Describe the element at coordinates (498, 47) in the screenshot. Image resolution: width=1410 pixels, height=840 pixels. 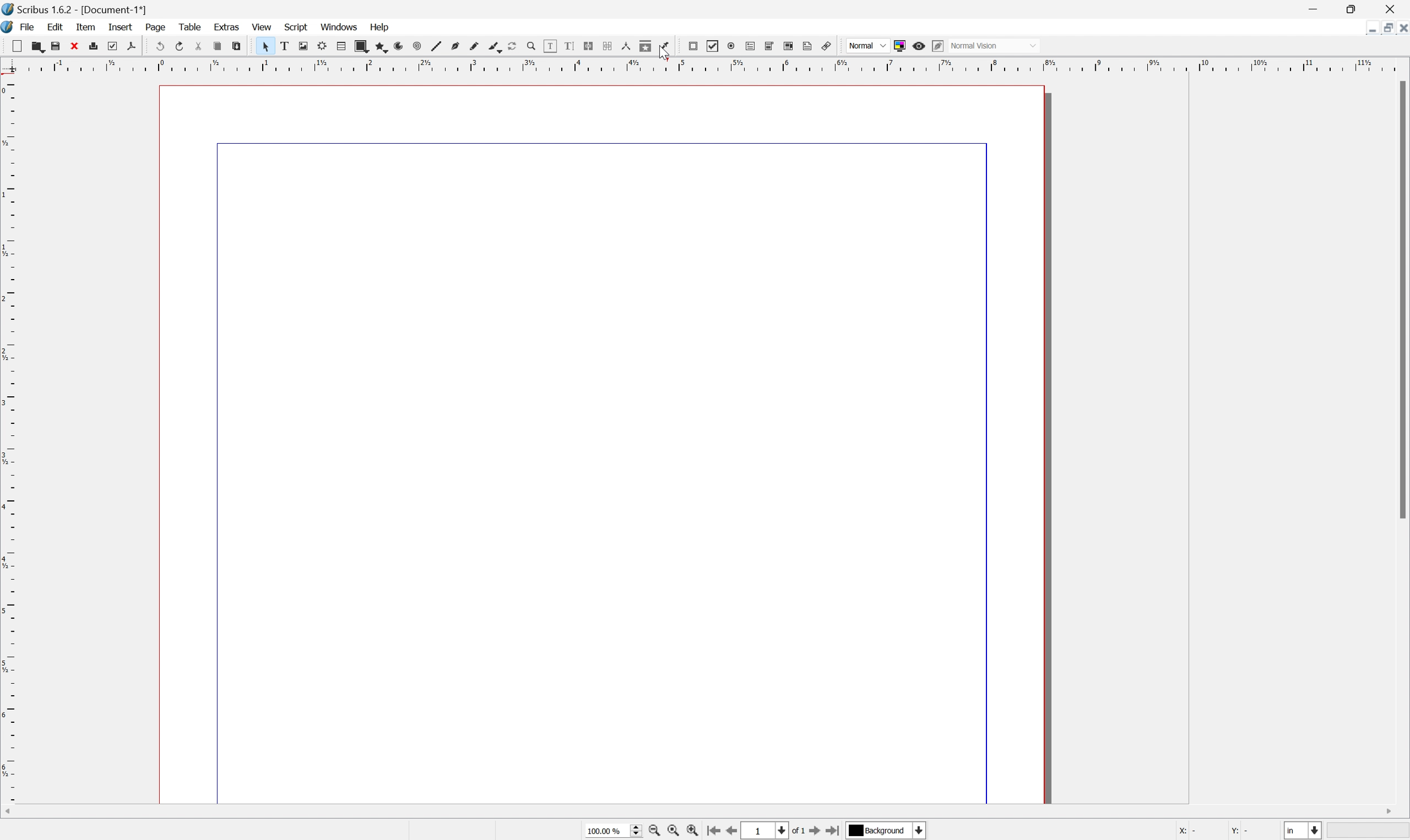
I see `calligraphic line` at that location.